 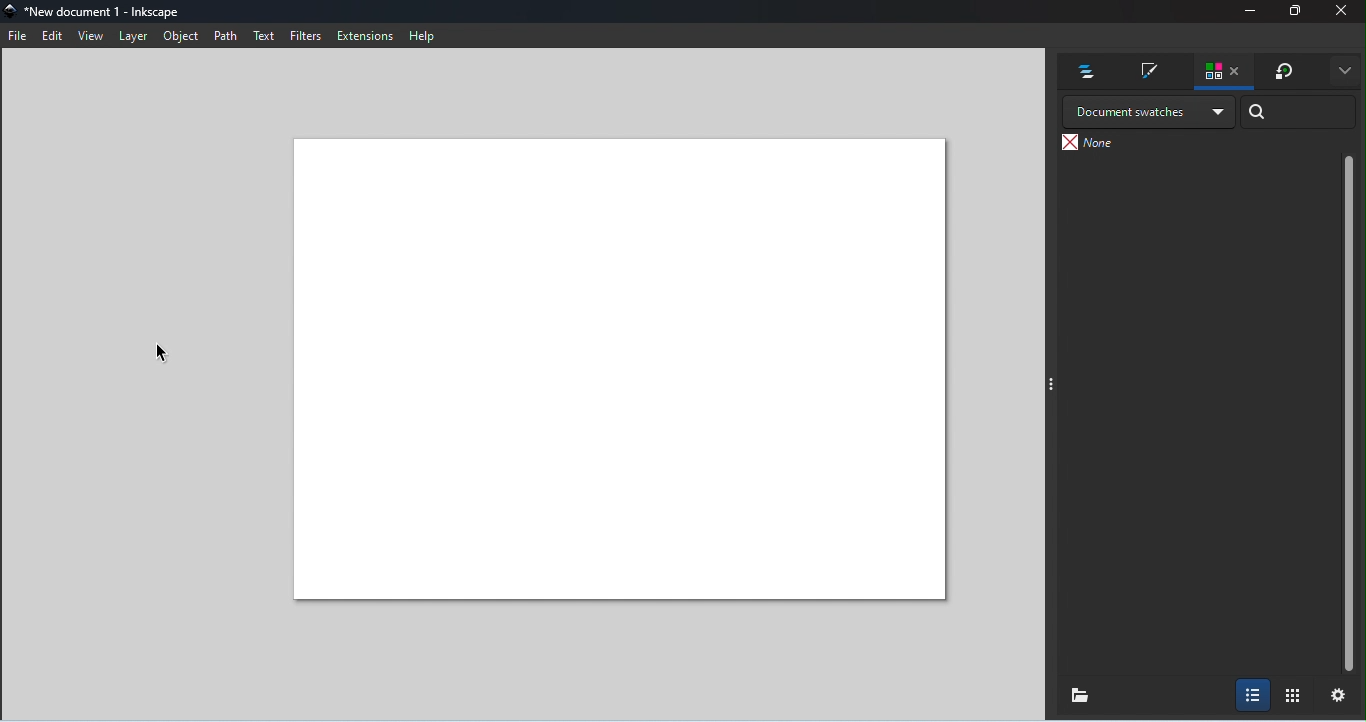 What do you see at coordinates (623, 369) in the screenshot?
I see `Canvas` at bounding box center [623, 369].